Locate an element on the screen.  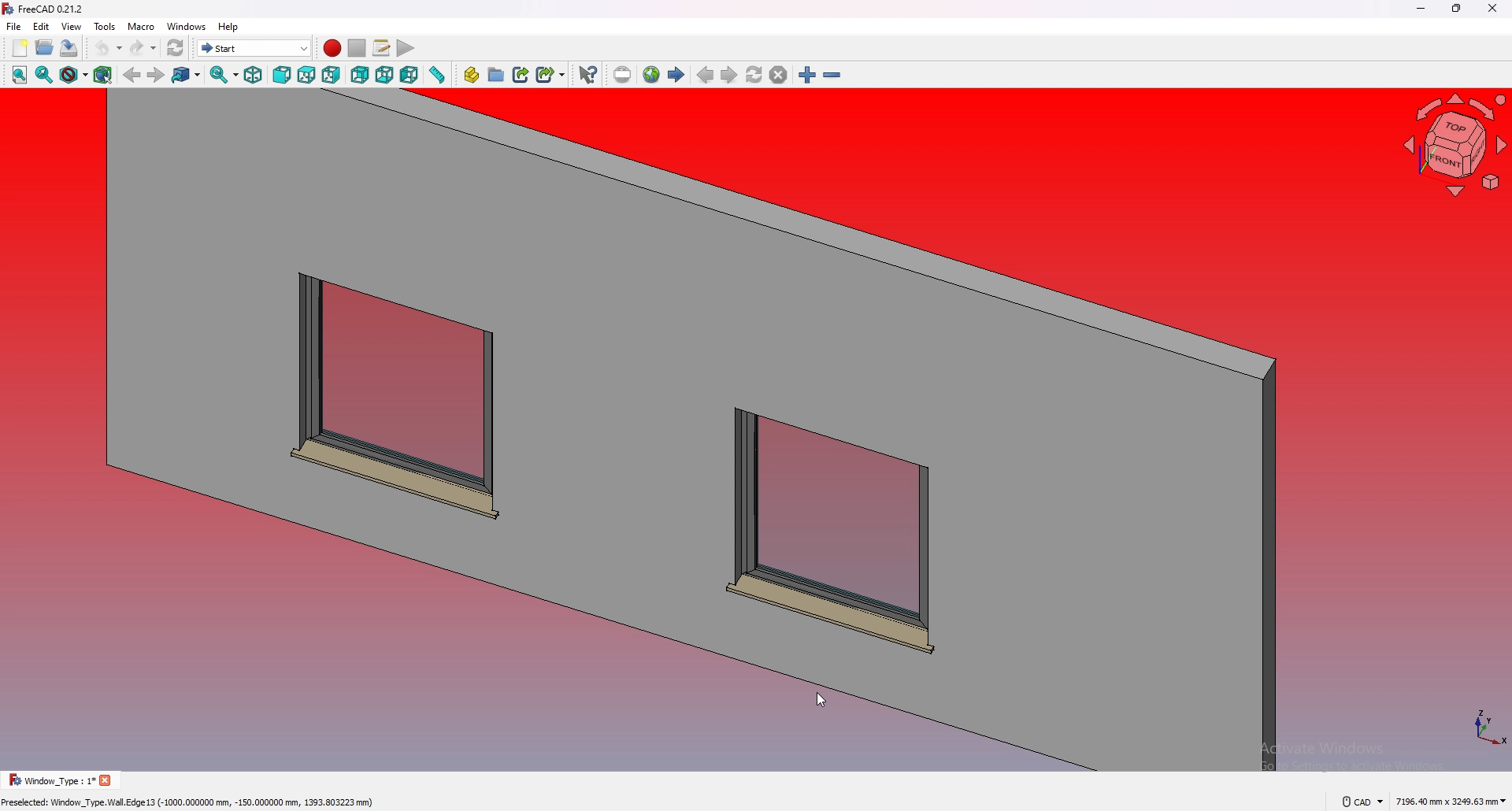
refresh is located at coordinates (176, 48).